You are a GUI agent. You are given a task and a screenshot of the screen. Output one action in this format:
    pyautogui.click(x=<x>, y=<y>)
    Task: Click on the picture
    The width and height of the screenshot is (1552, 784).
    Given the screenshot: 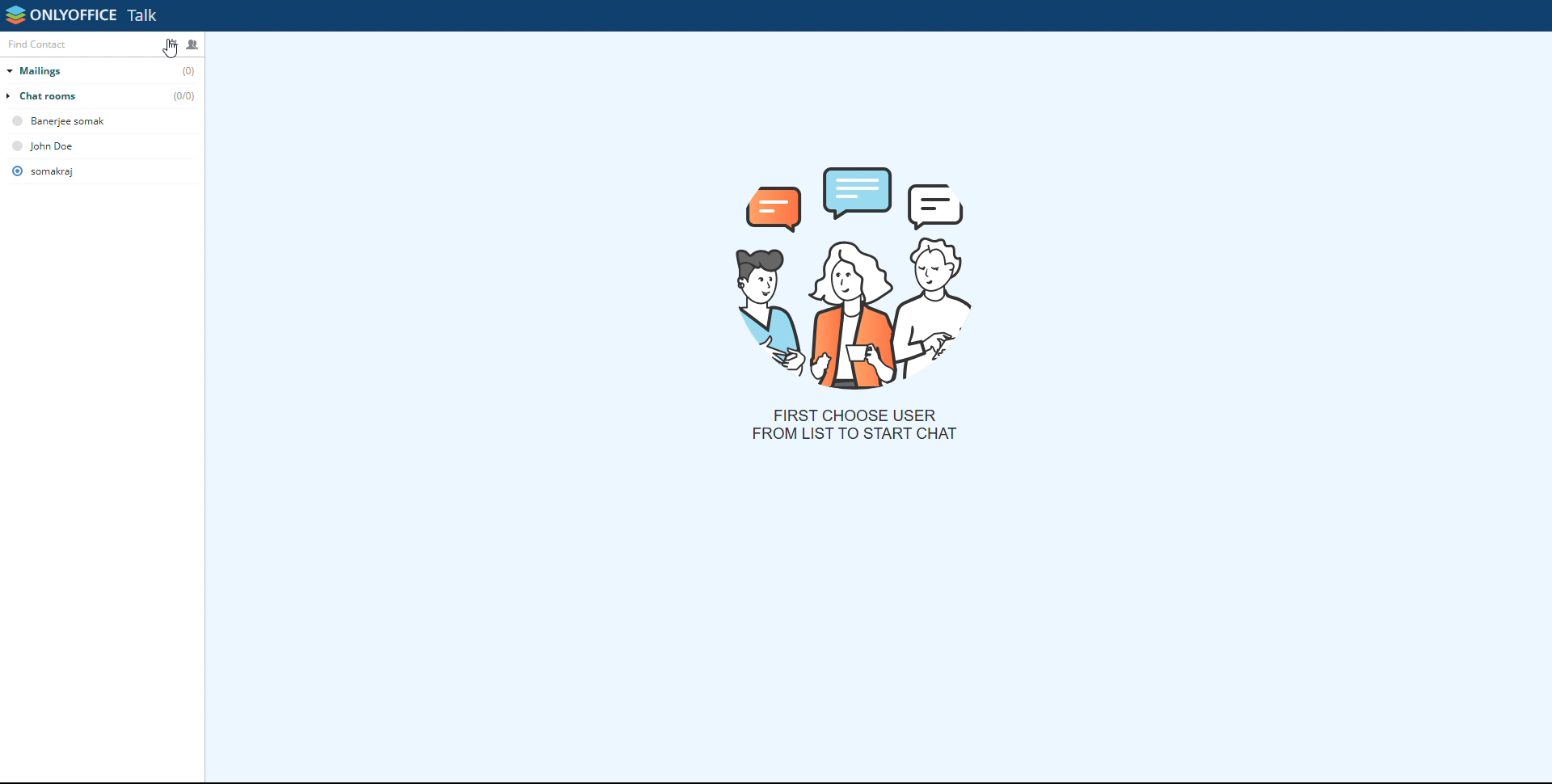 What is the action you would take?
    pyautogui.click(x=858, y=275)
    